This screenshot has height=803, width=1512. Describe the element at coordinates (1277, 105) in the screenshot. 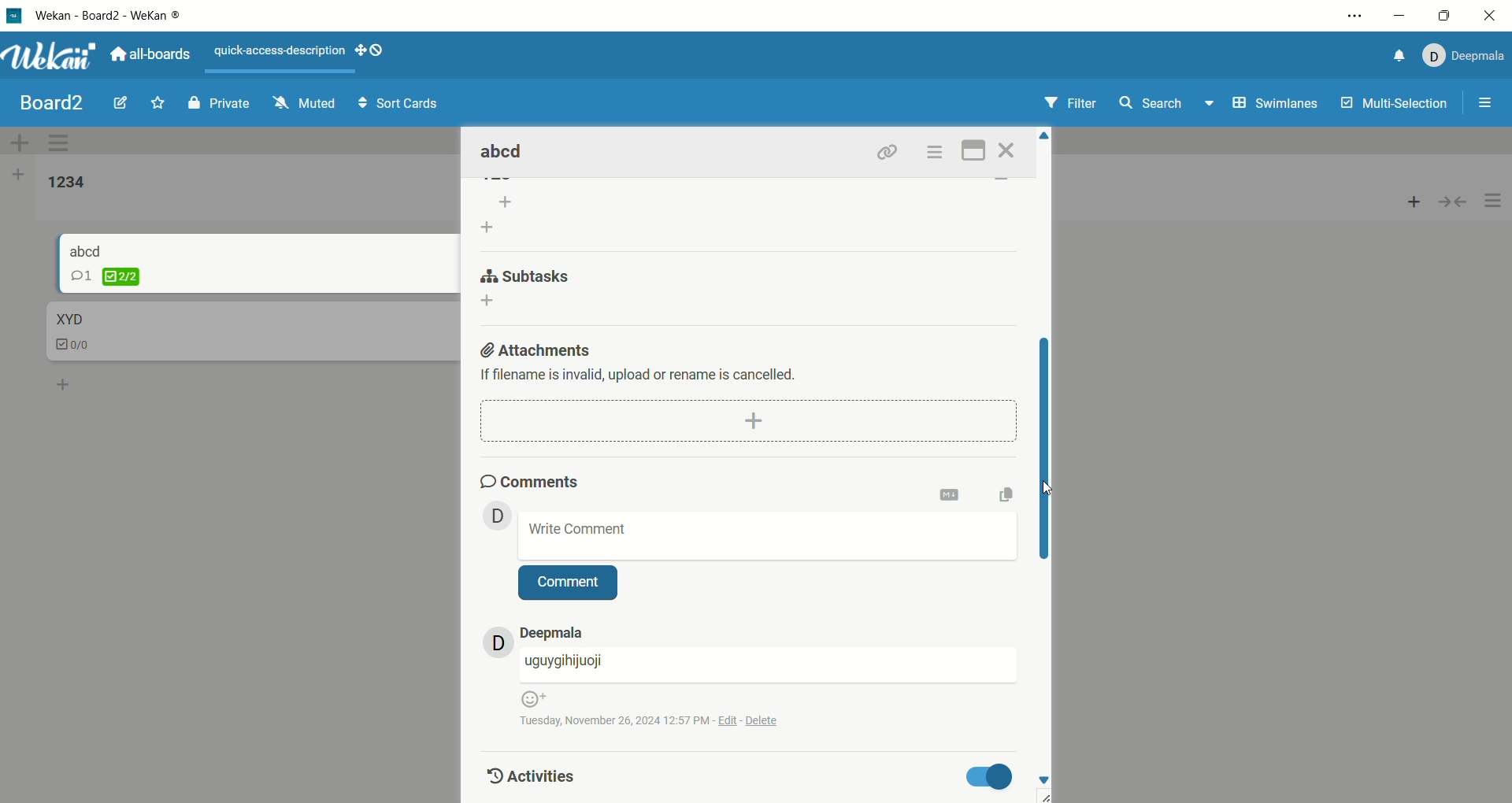

I see `swimlanes` at that location.